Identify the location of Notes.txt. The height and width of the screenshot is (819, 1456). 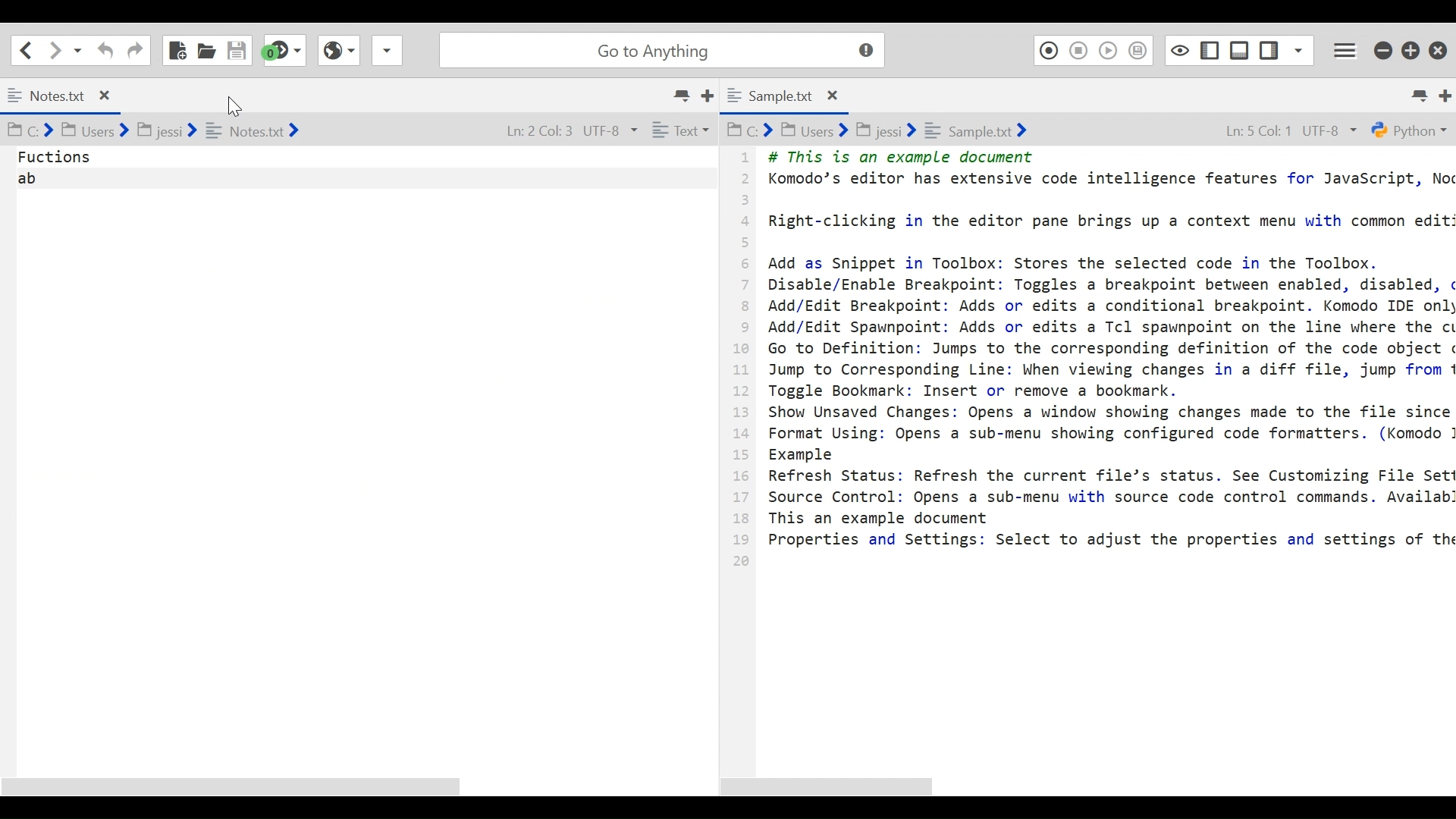
(60, 96).